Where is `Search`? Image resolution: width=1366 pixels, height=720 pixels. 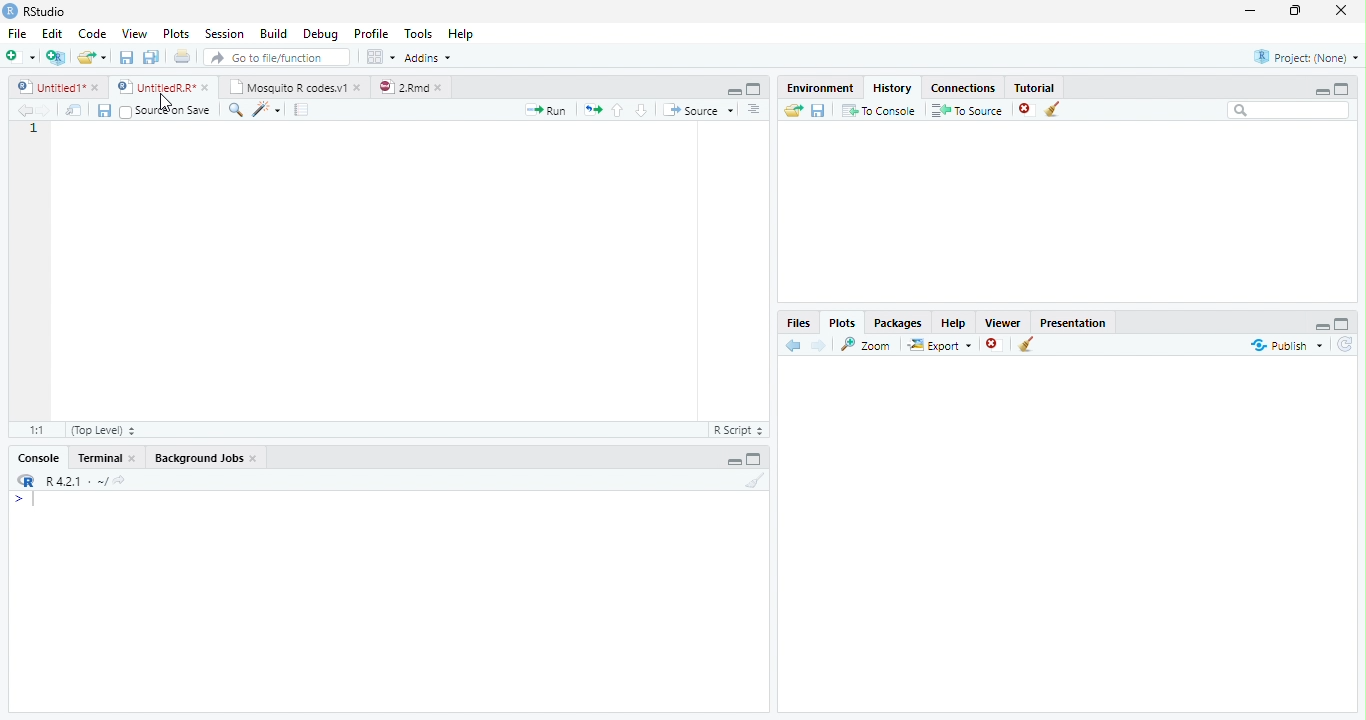 Search is located at coordinates (1287, 110).